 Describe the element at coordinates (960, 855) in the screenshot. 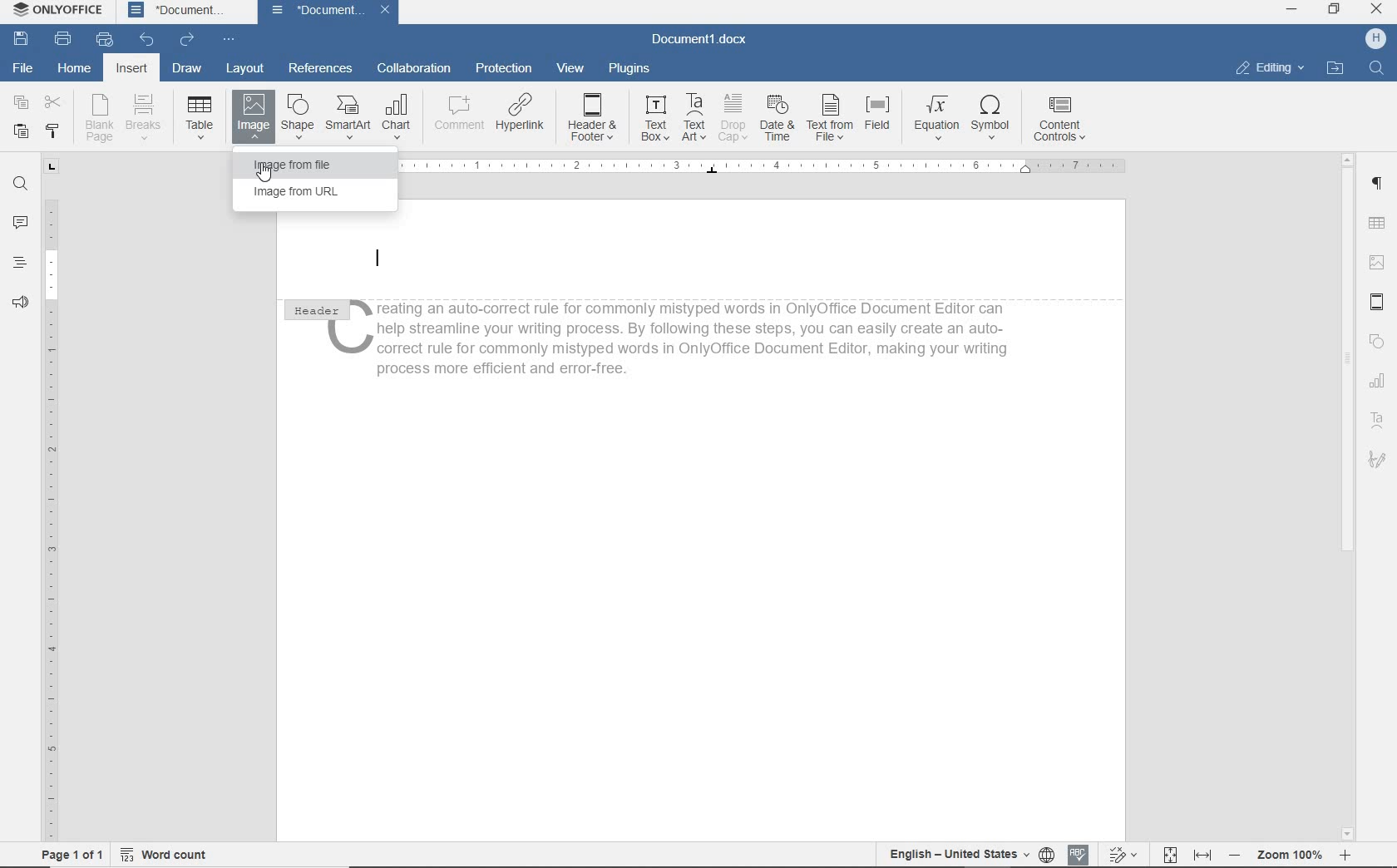

I see `English — United States + ({[)` at that location.